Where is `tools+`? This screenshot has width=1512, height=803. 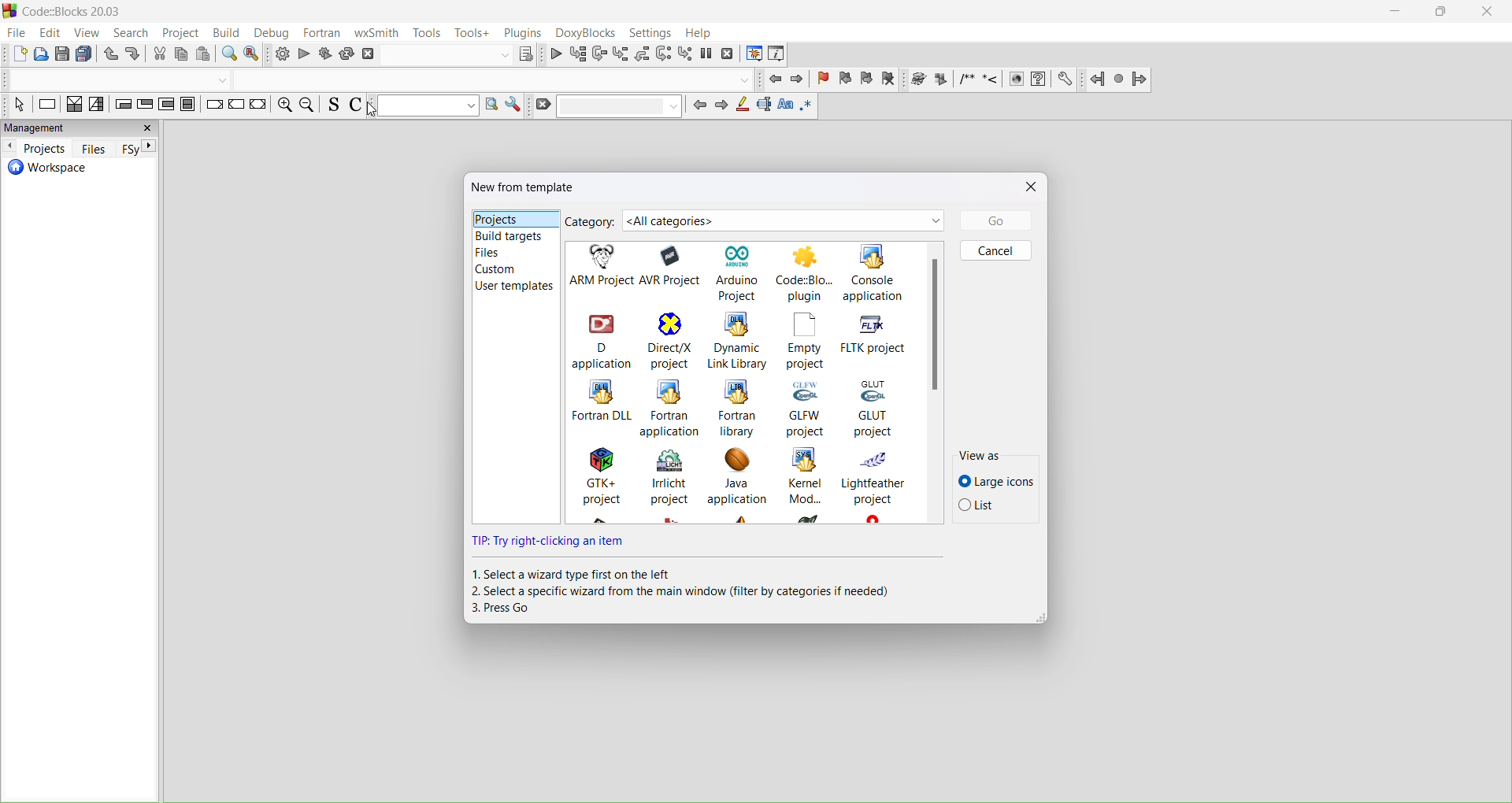 tools+ is located at coordinates (472, 33).